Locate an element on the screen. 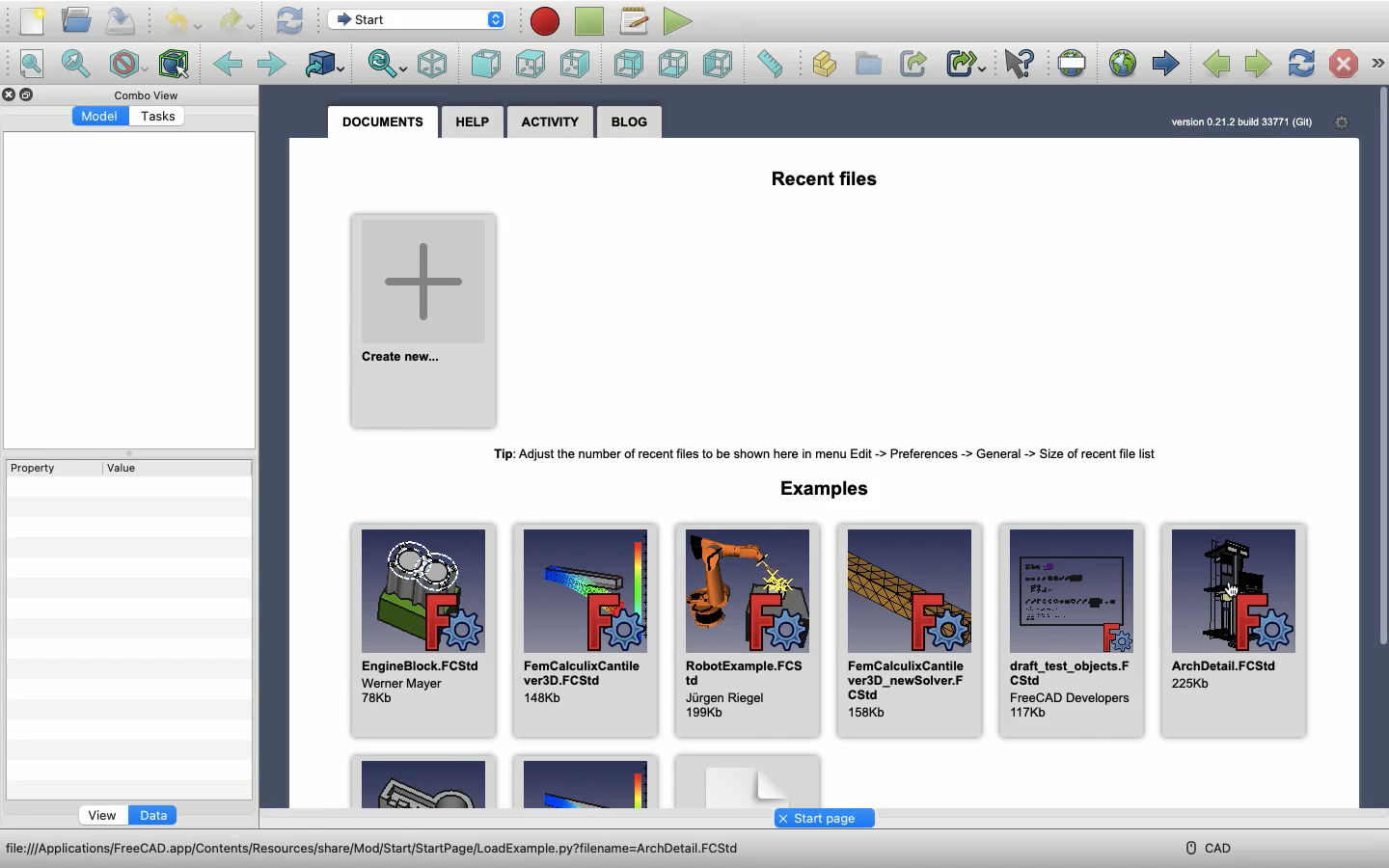  Make sub-link is located at coordinates (967, 65).